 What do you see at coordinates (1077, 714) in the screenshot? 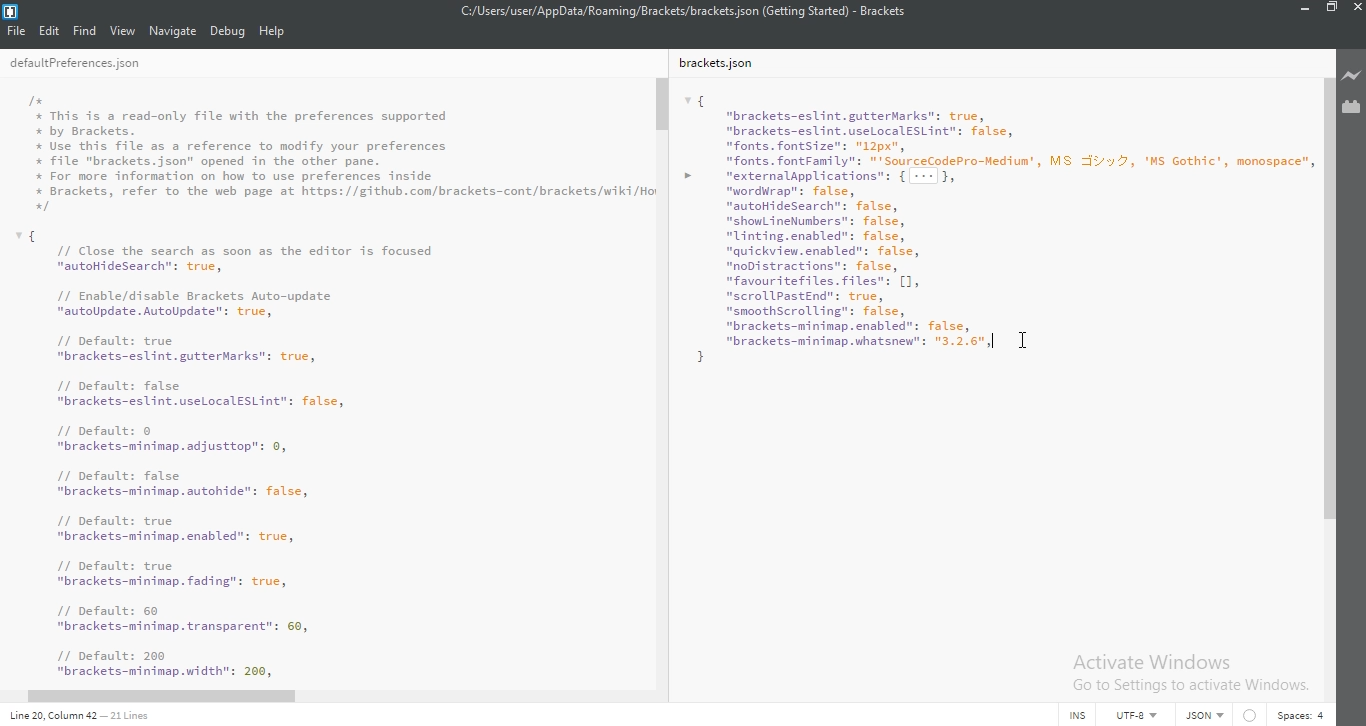
I see `INS` at bounding box center [1077, 714].